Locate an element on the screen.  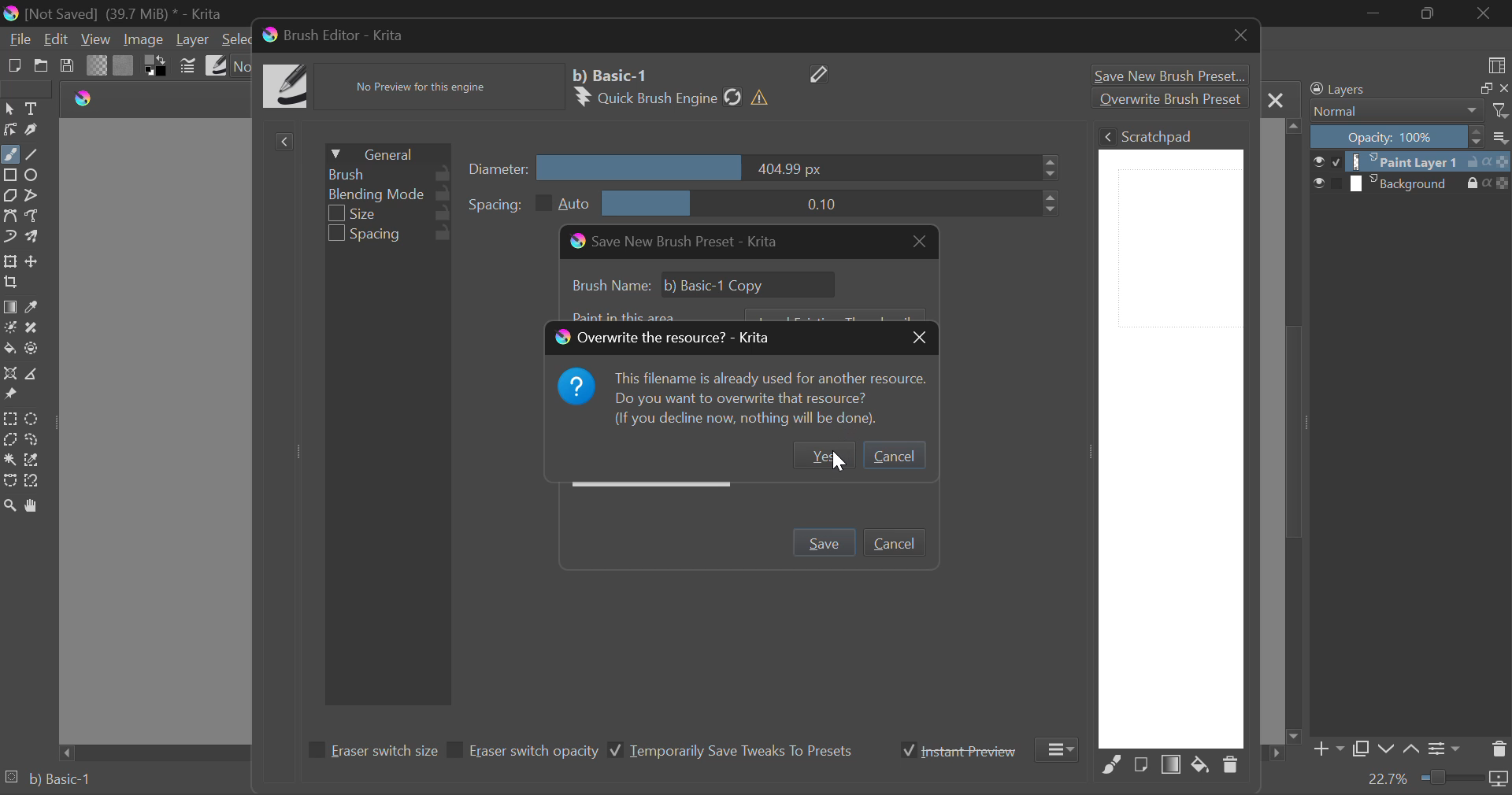
Brush Presets is located at coordinates (217, 66).